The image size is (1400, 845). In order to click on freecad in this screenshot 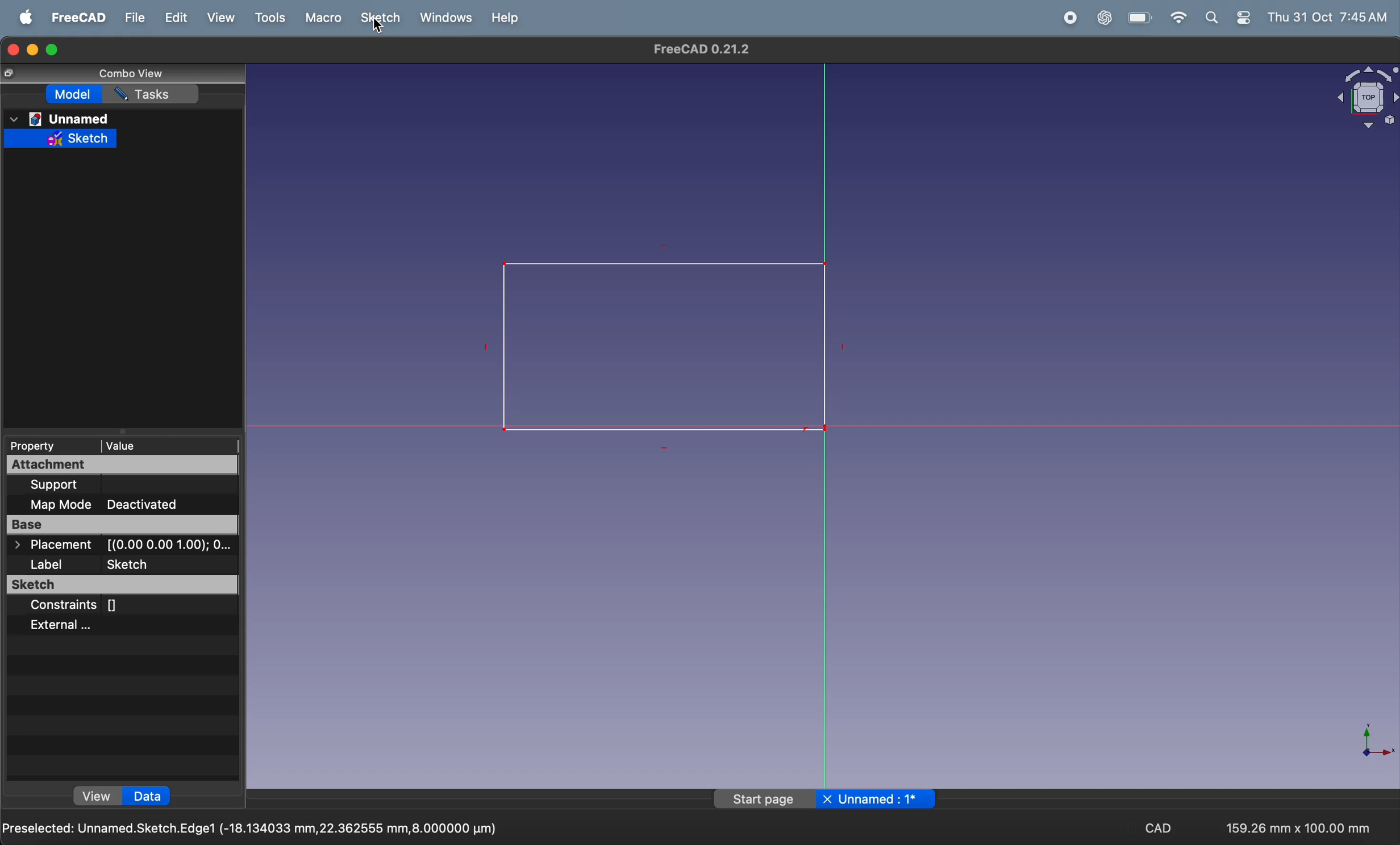, I will do `click(80, 16)`.